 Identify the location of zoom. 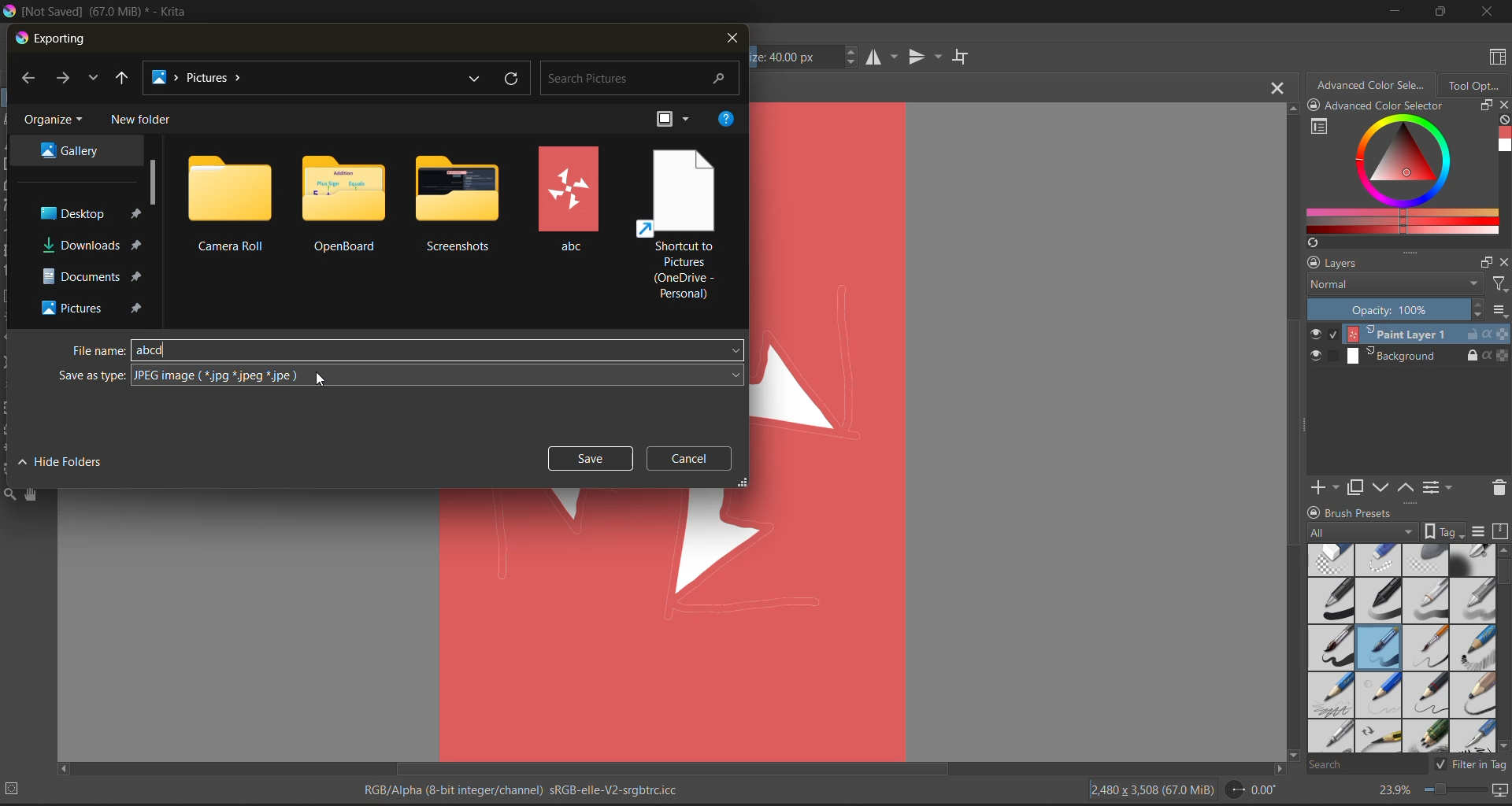
(1458, 791).